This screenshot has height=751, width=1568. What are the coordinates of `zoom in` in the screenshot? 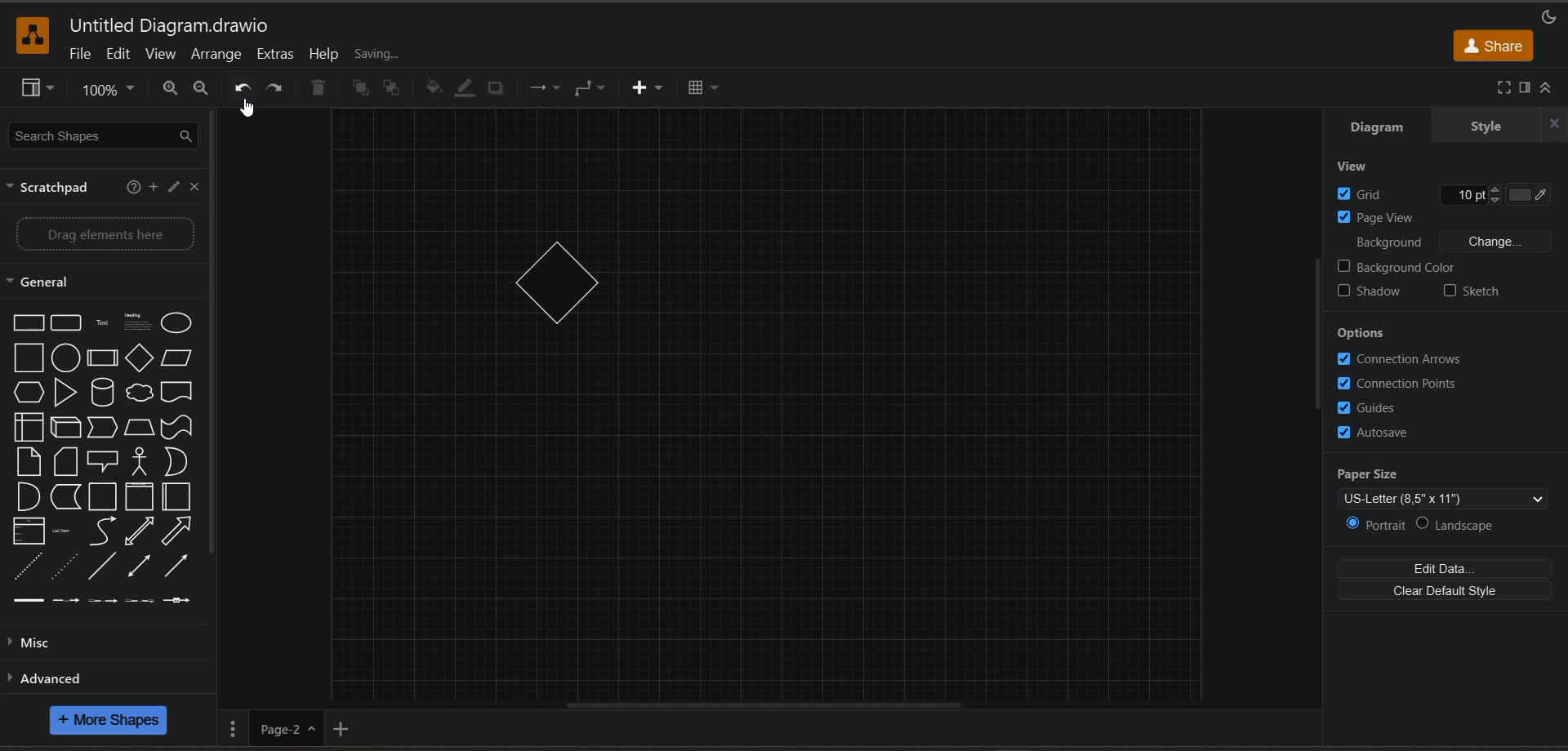 It's located at (166, 90).